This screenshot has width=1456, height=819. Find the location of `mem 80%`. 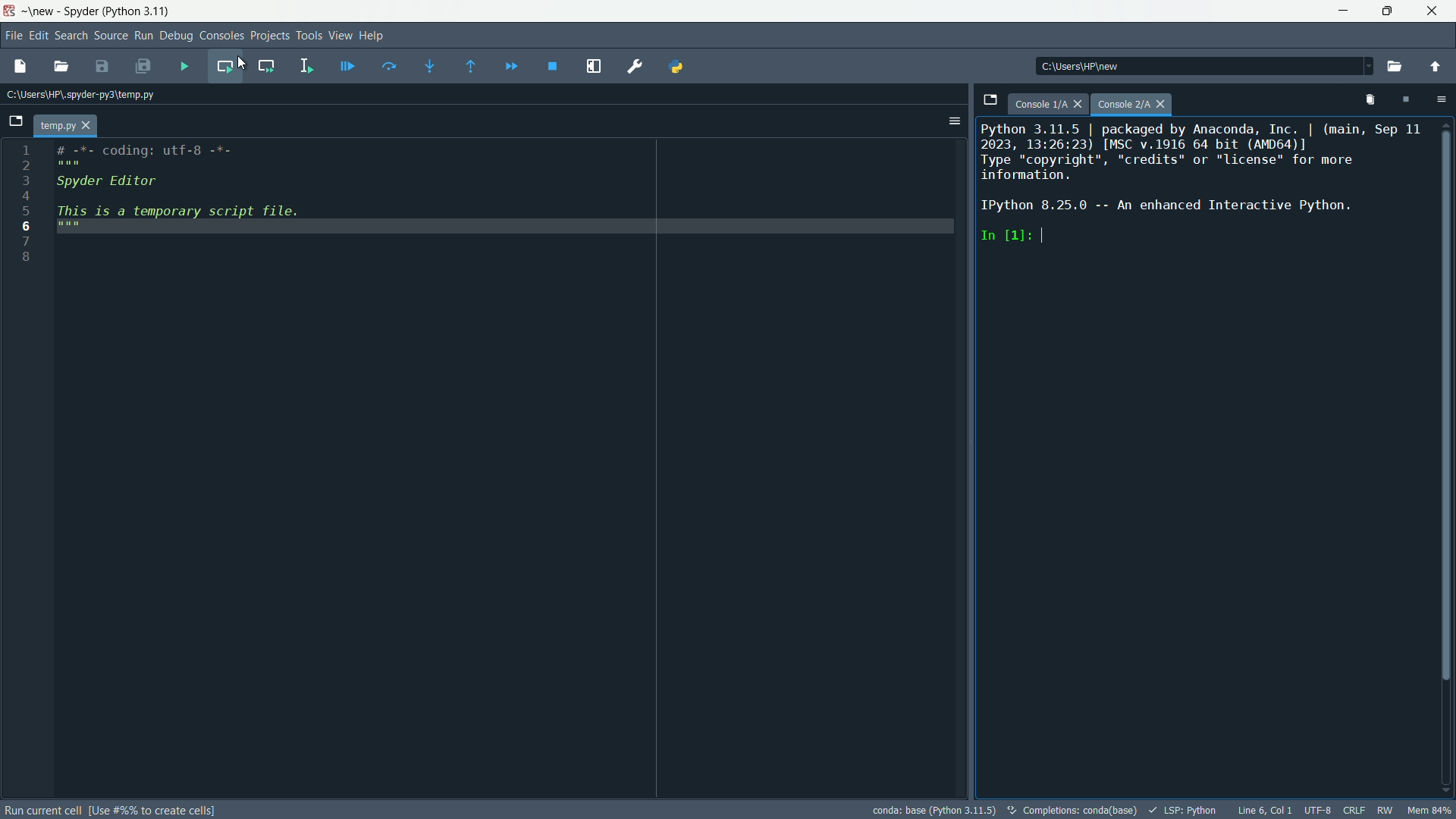

mem 80% is located at coordinates (1430, 809).